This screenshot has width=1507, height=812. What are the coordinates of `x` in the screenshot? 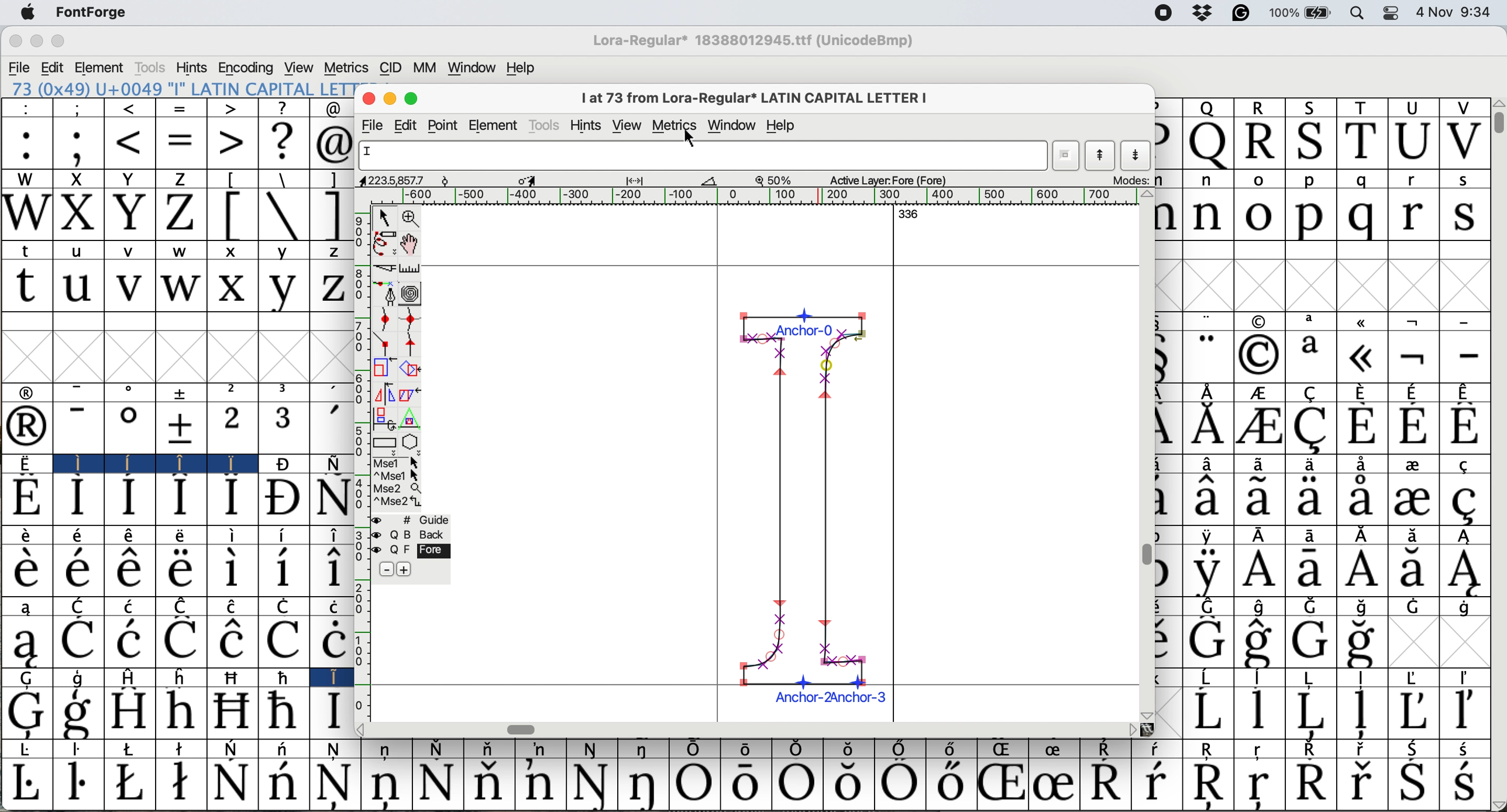 It's located at (234, 250).